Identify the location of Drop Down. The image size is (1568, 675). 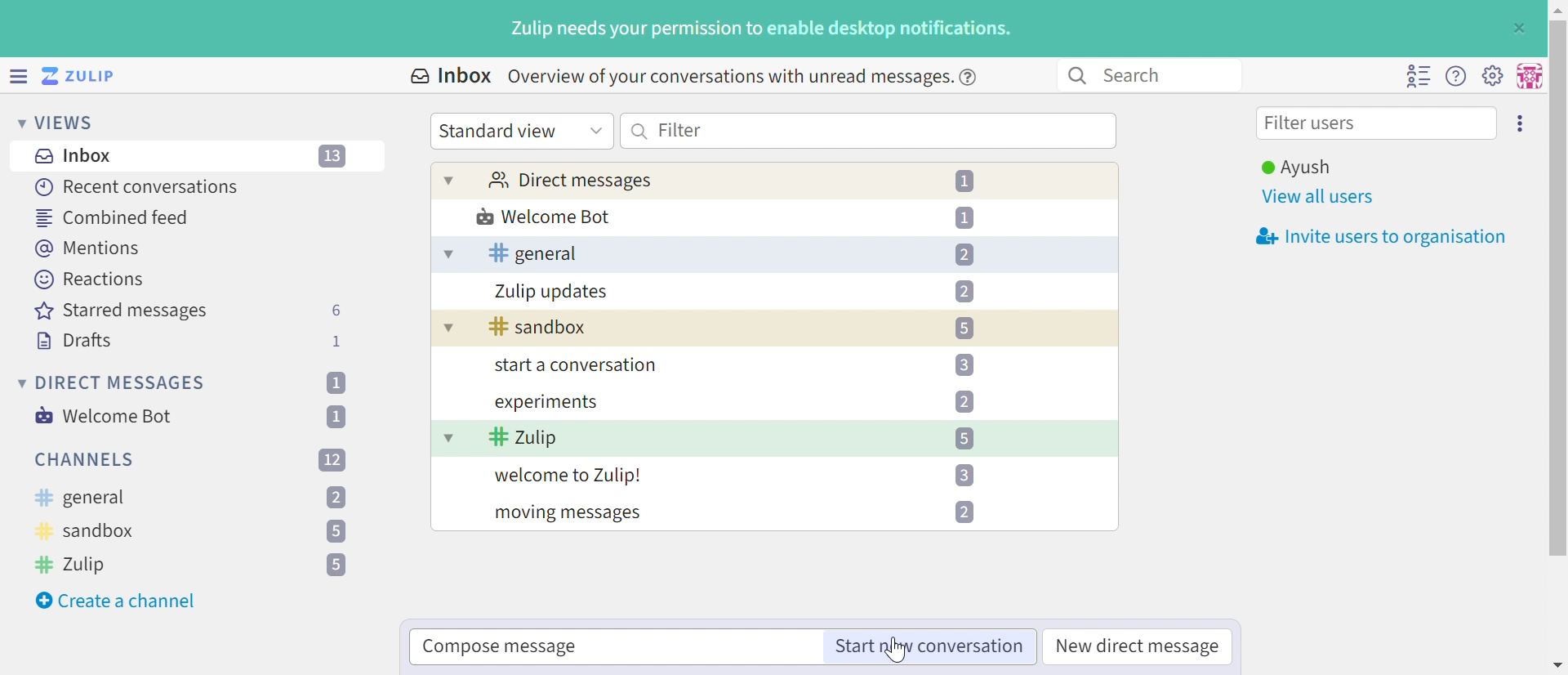
(16, 122).